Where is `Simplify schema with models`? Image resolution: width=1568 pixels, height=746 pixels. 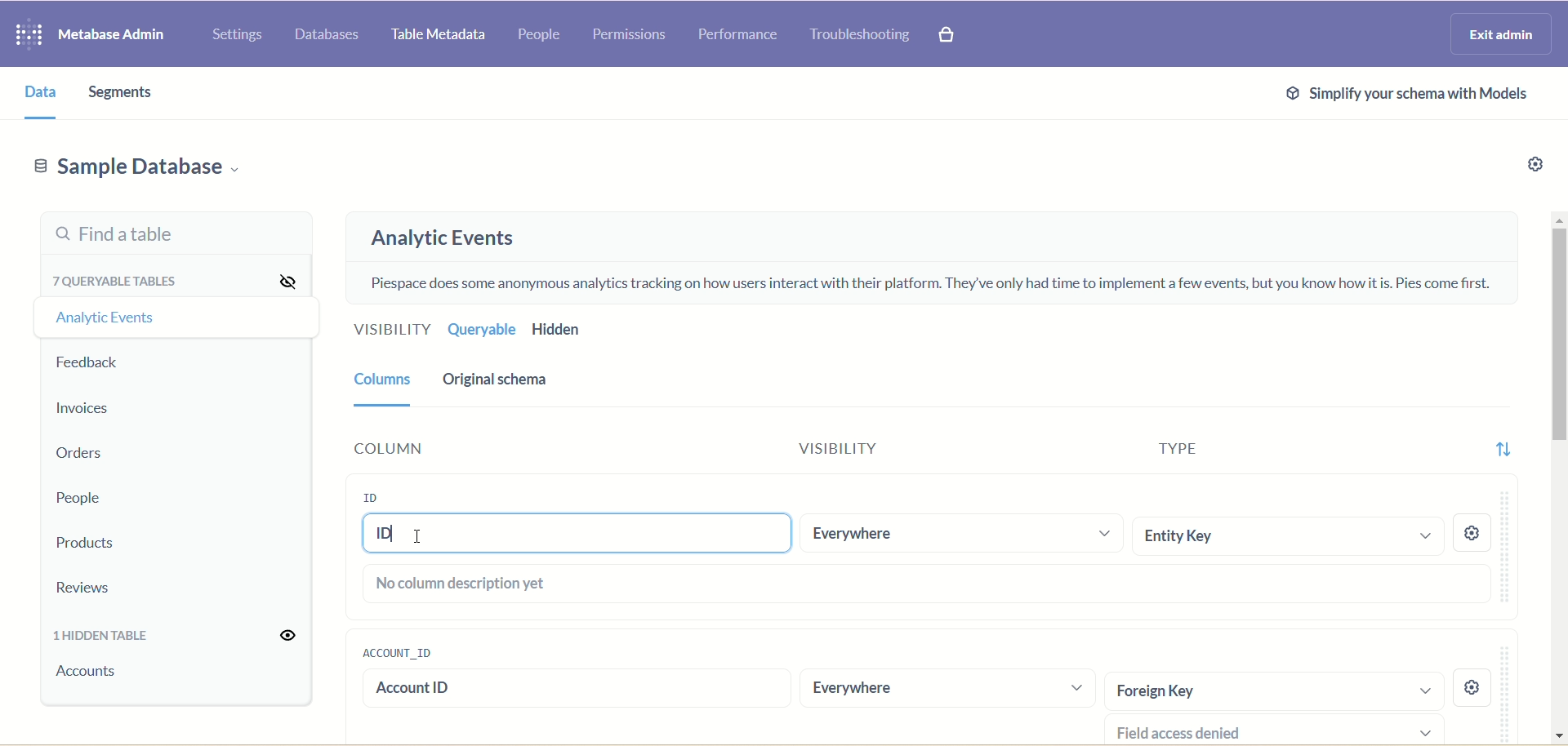
Simplify schema with models is located at coordinates (1402, 97).